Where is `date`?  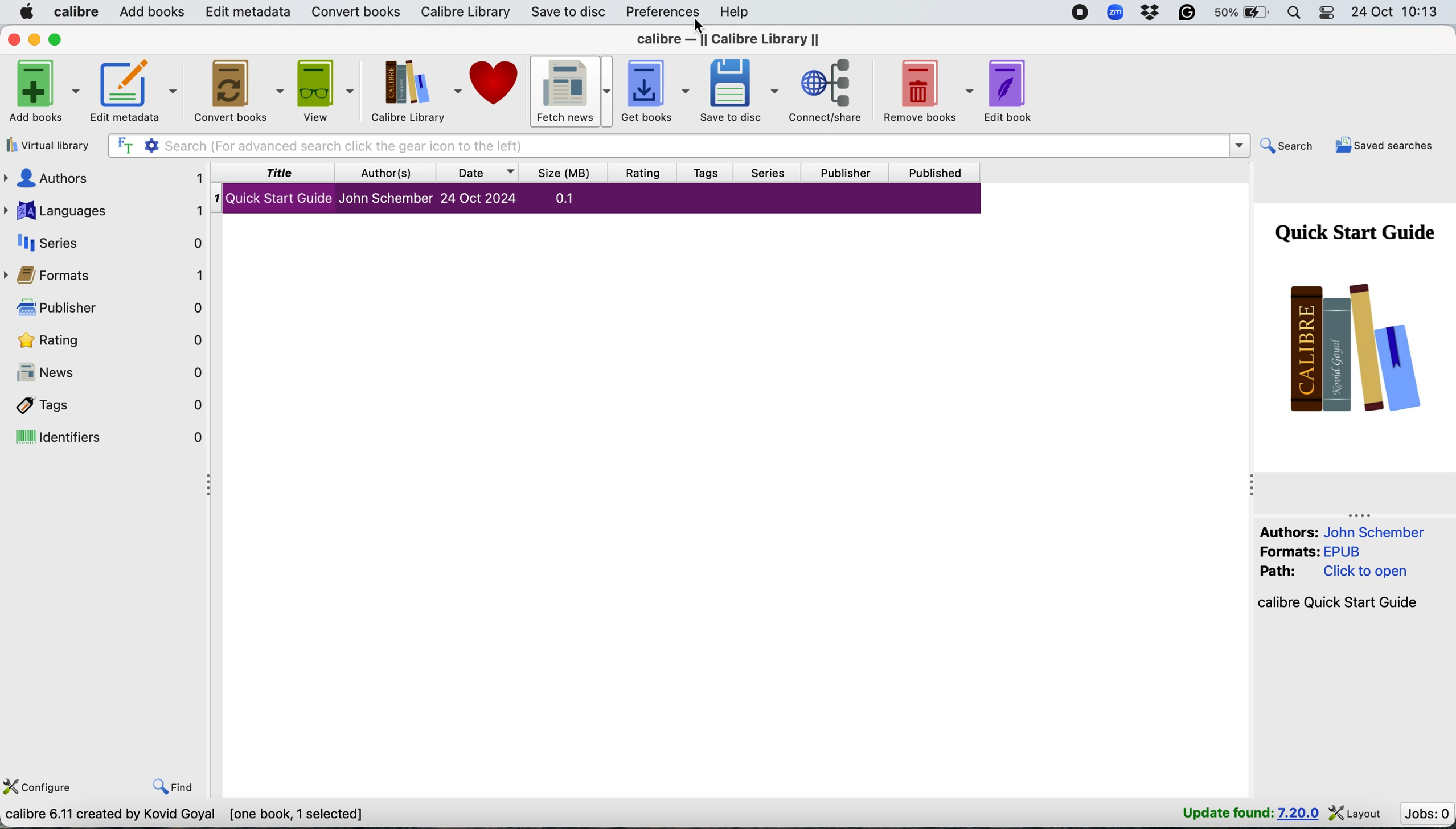 date is located at coordinates (482, 174).